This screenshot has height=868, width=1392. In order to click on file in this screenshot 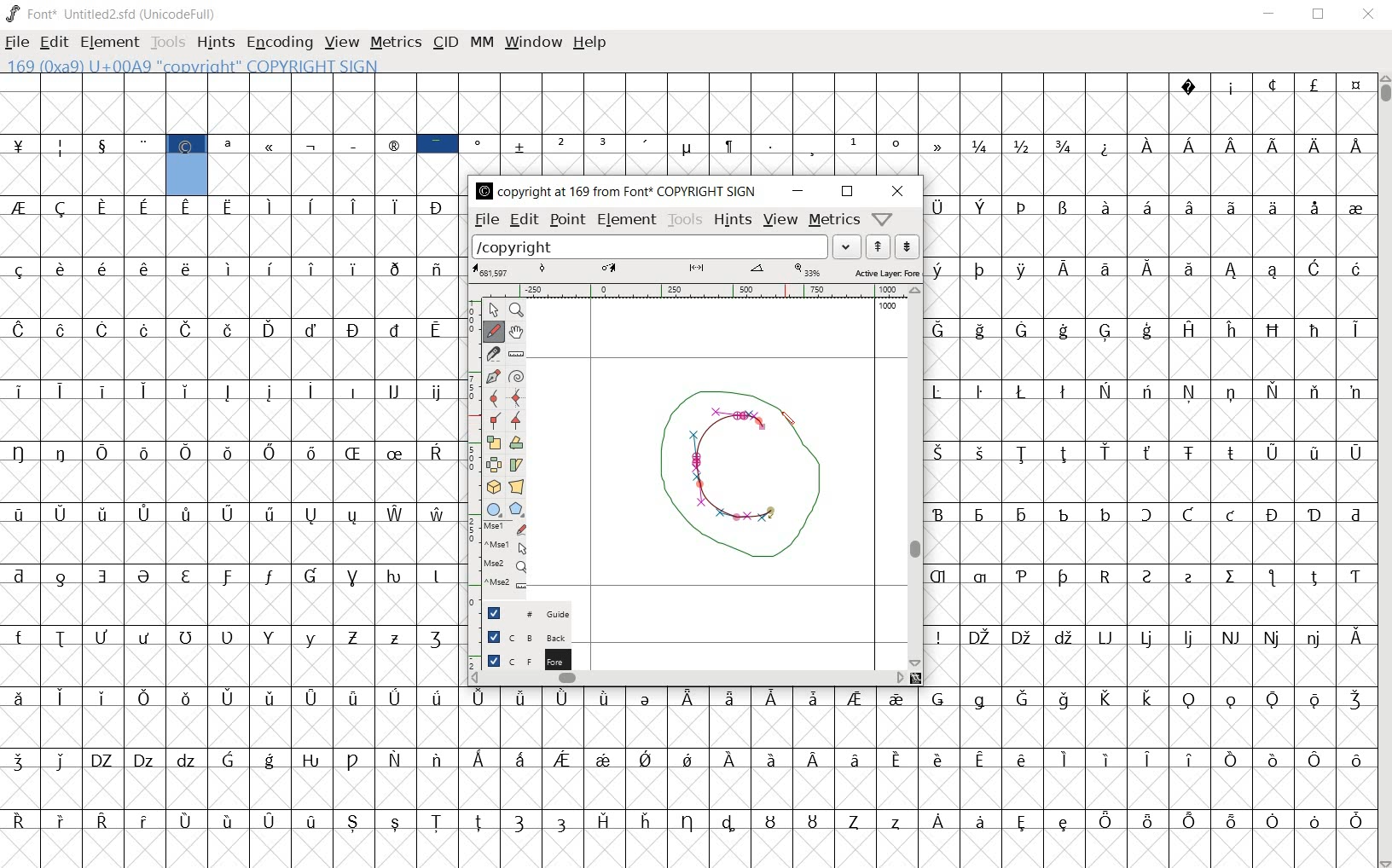, I will do `click(17, 44)`.